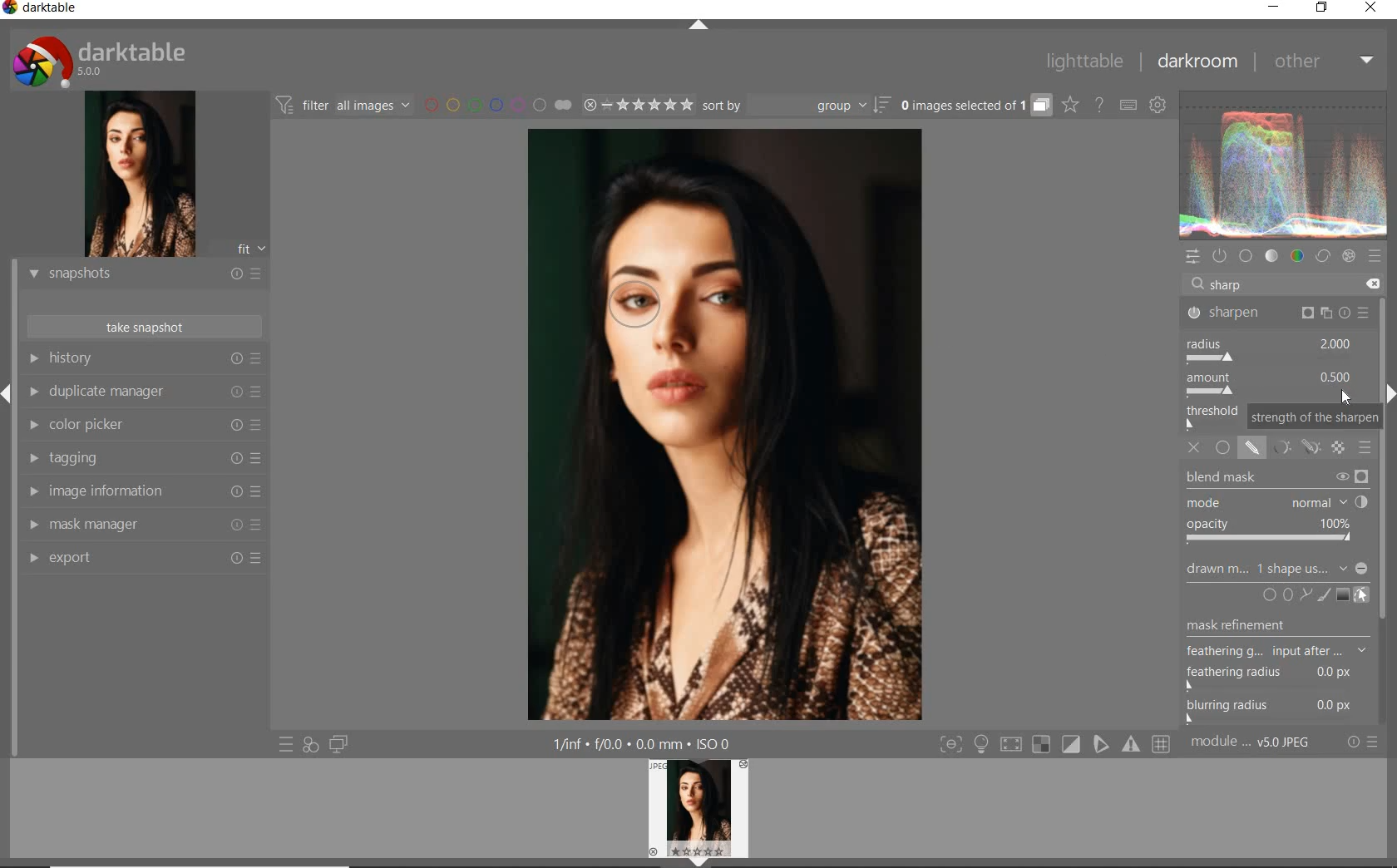 This screenshot has height=868, width=1397. What do you see at coordinates (142, 274) in the screenshot?
I see `snapshots` at bounding box center [142, 274].